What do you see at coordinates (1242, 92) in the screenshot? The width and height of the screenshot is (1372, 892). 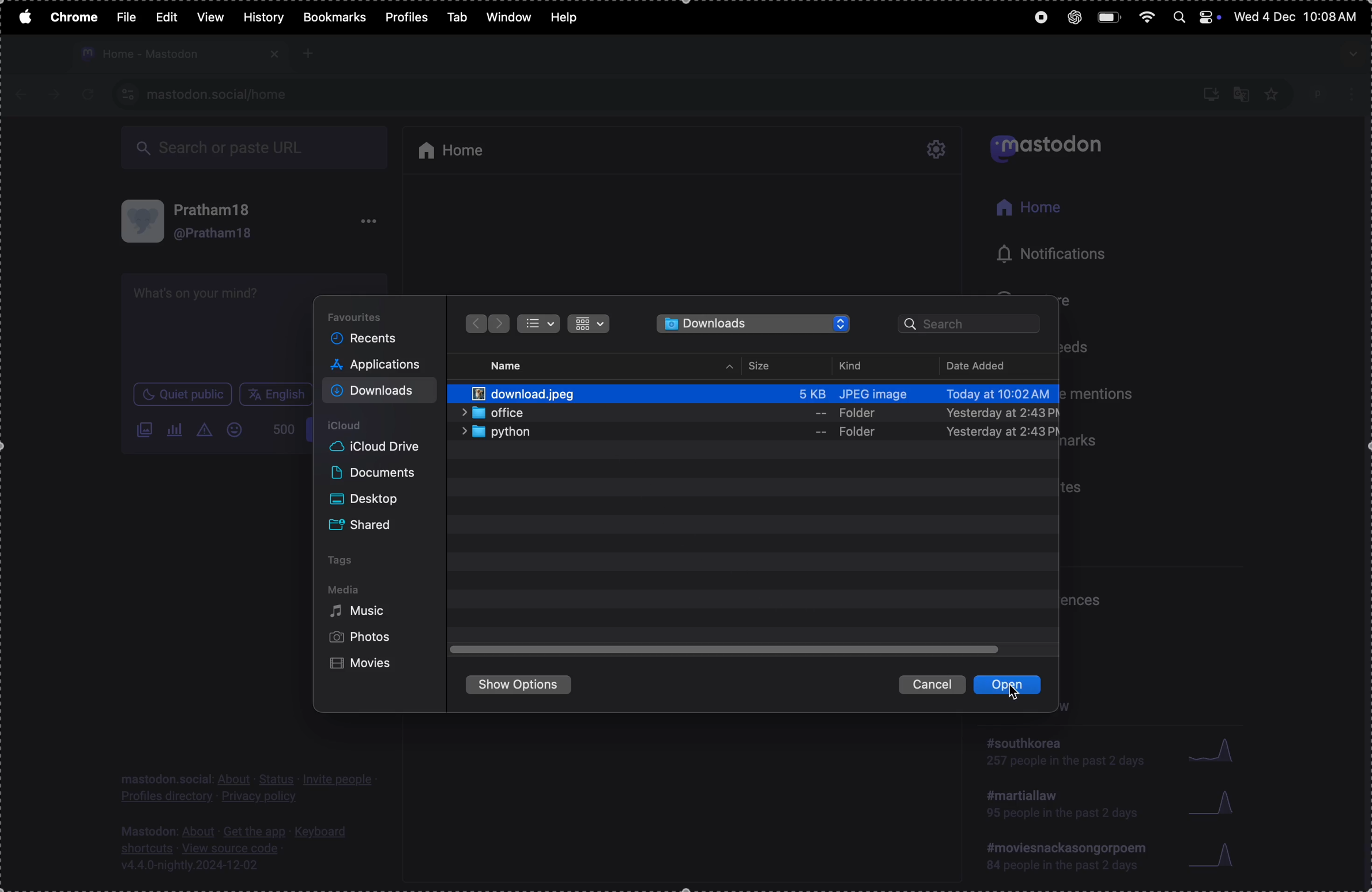 I see `translate` at bounding box center [1242, 92].